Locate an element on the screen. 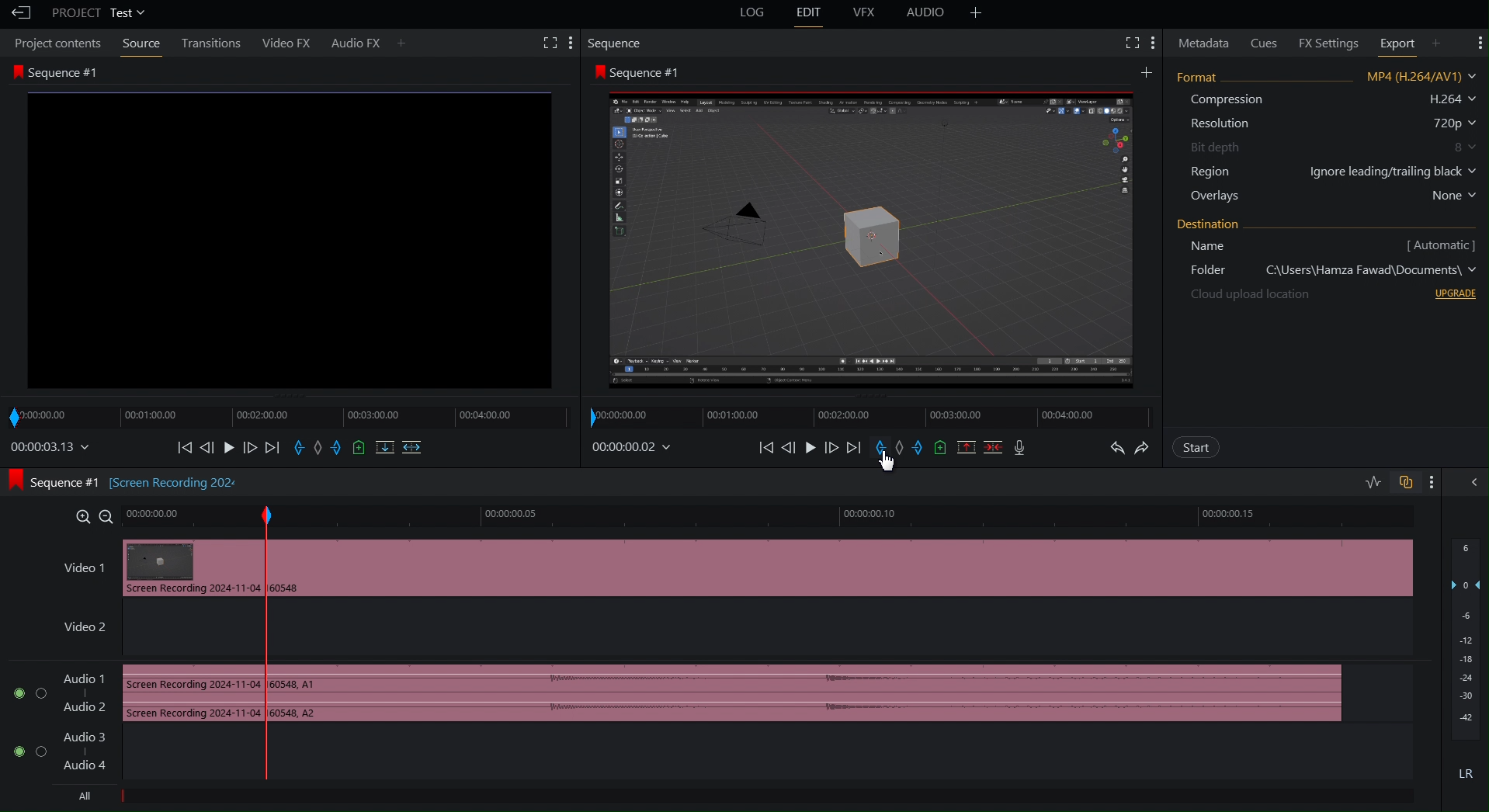  Audio is located at coordinates (929, 15).